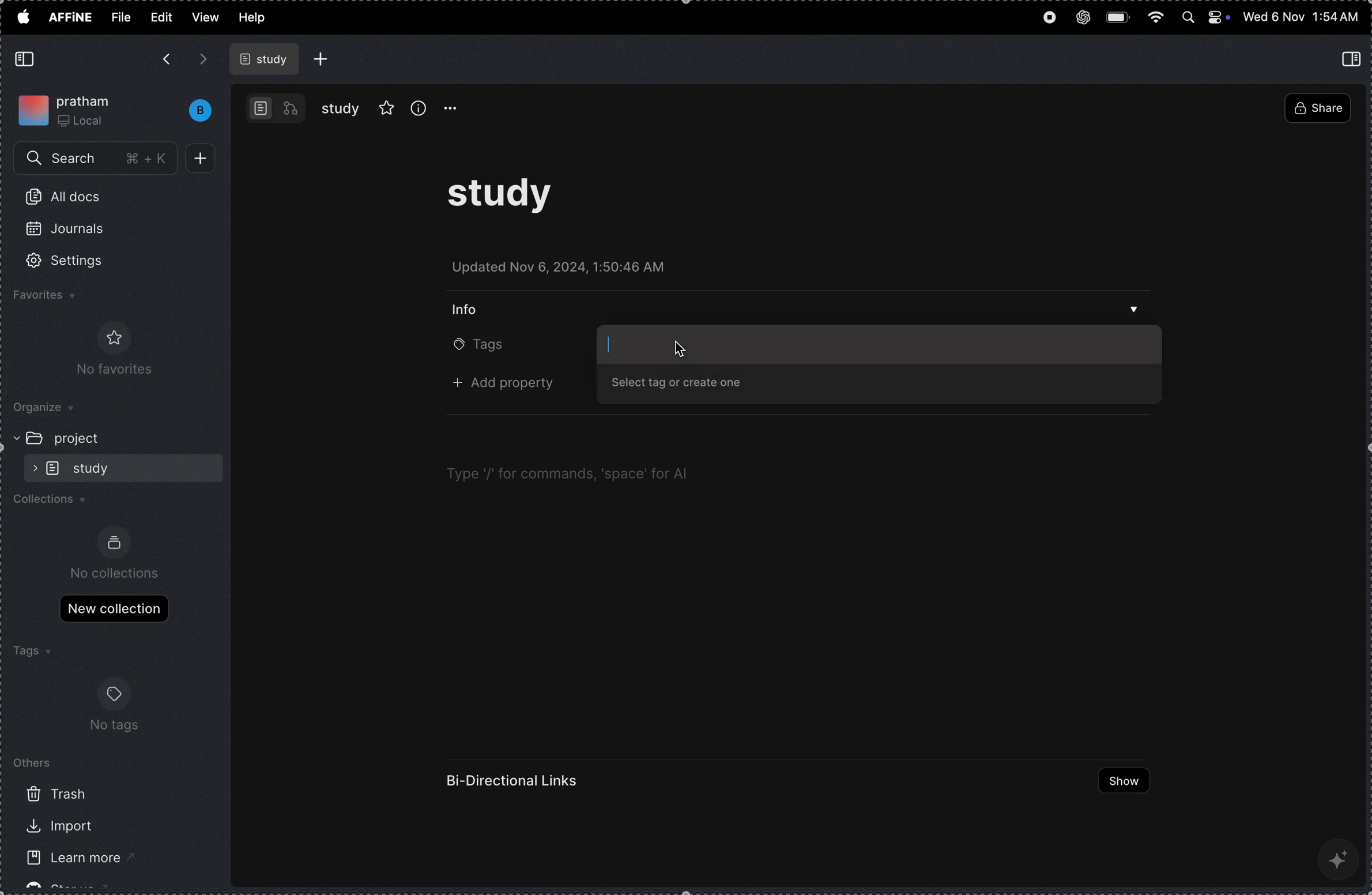 The image size is (1372, 895). What do you see at coordinates (61, 297) in the screenshot?
I see `favourites` at bounding box center [61, 297].